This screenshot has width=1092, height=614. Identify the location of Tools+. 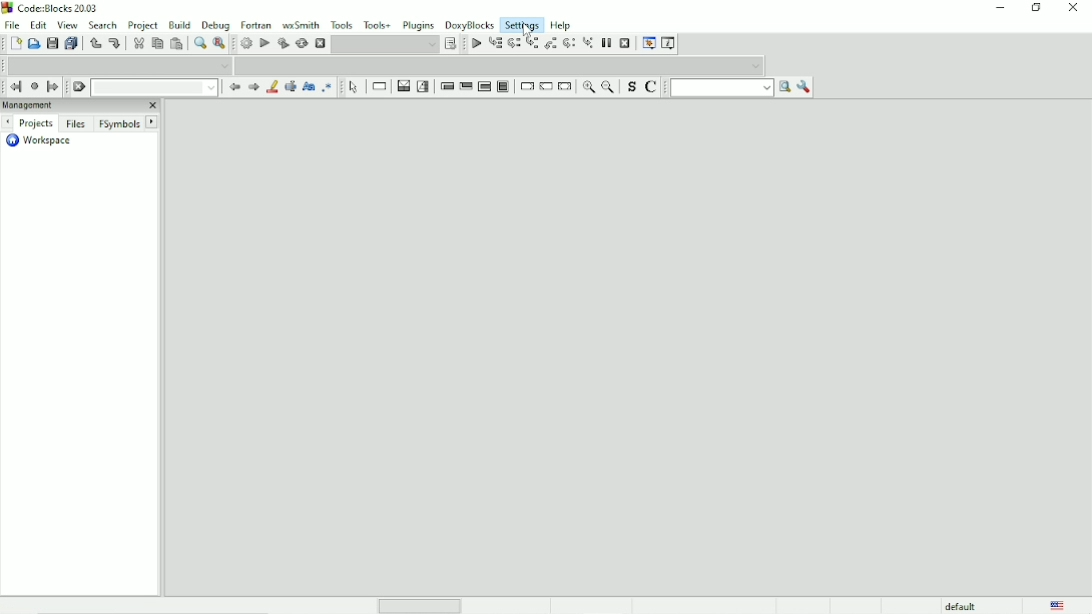
(377, 25).